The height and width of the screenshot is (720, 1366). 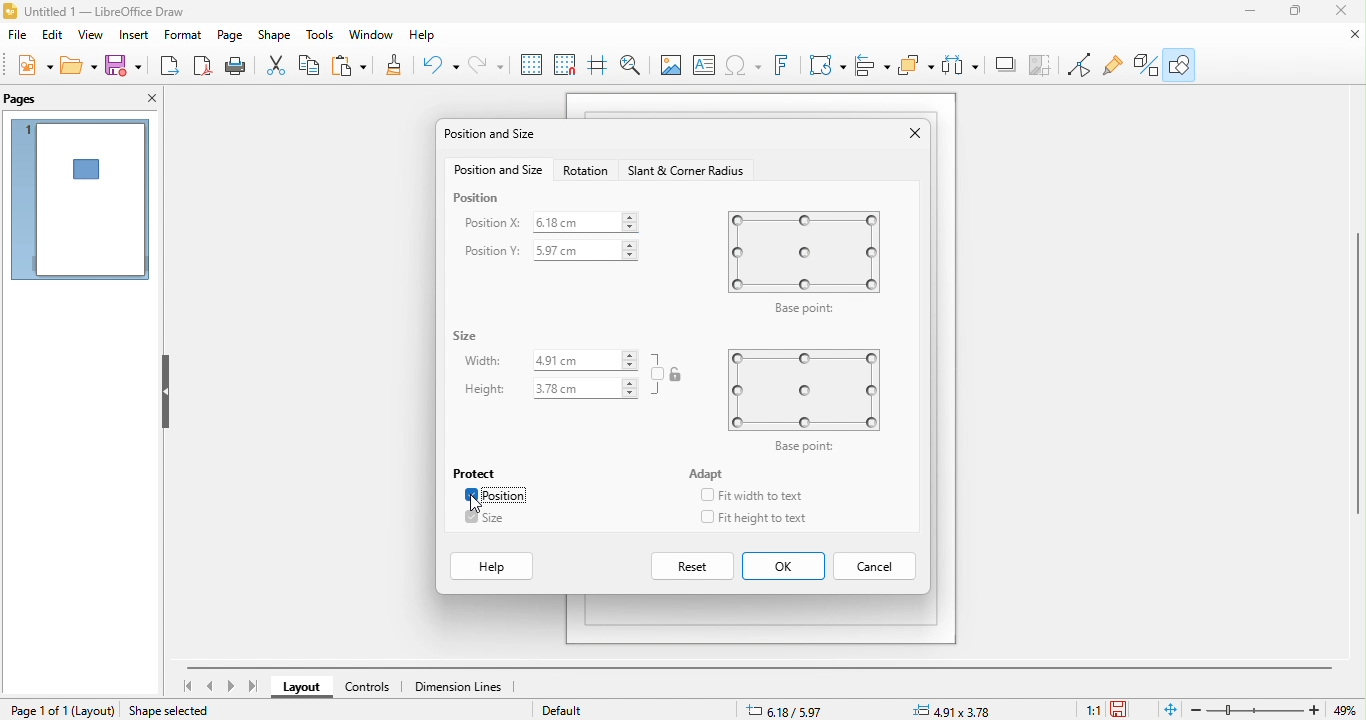 I want to click on ok, so click(x=783, y=567).